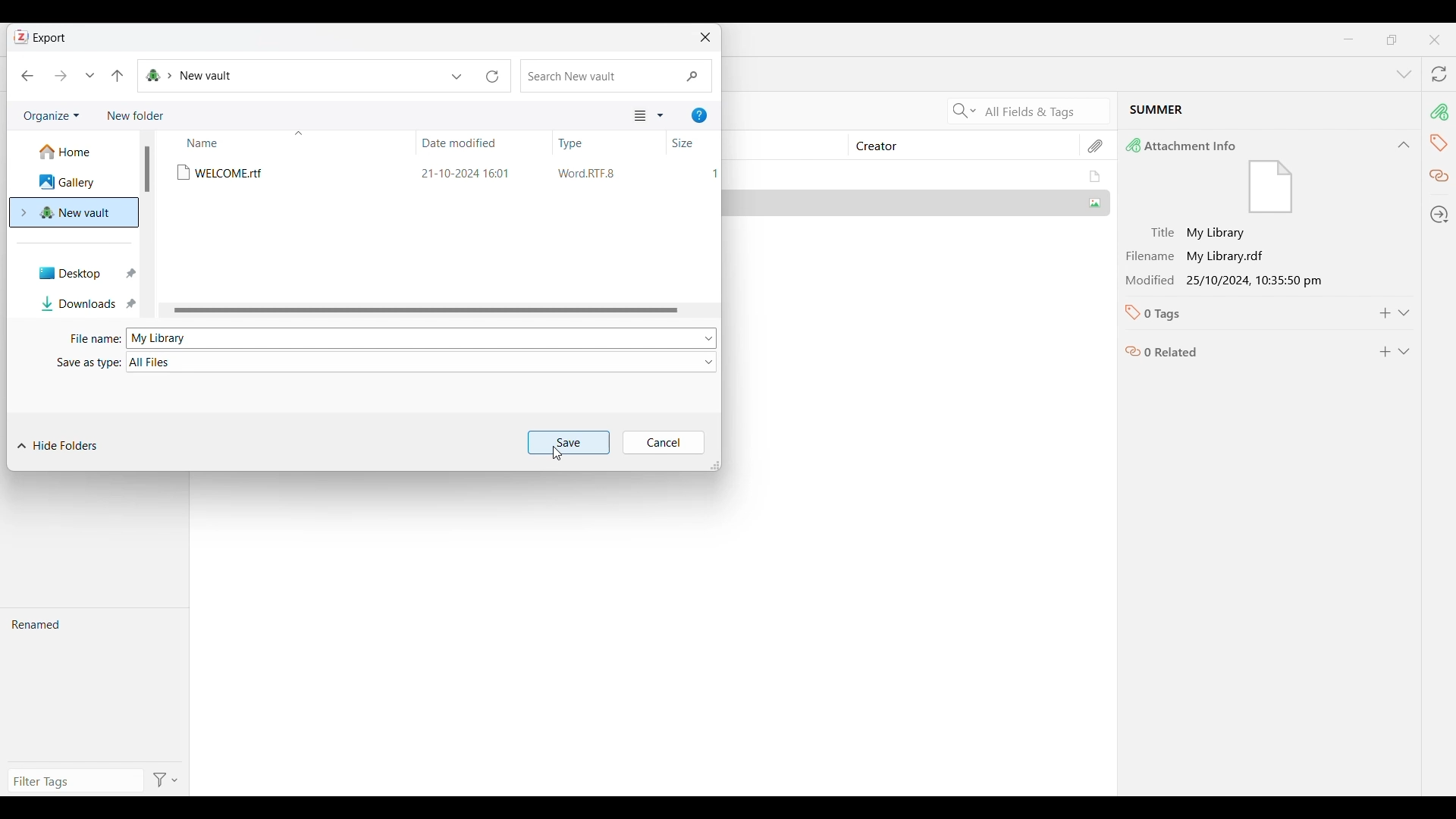  I want to click on Modification 25/10/2024 10:35:50 pm, so click(1241, 280).